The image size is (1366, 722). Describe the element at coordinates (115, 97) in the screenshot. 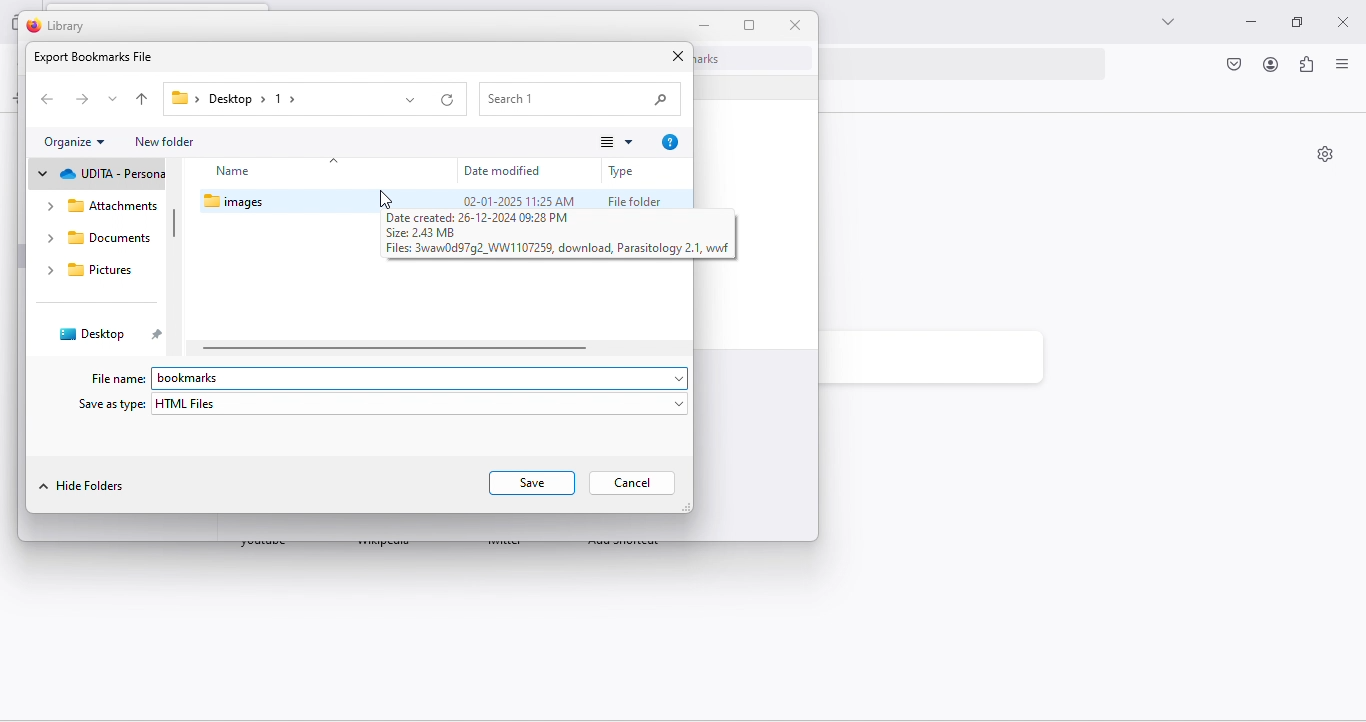

I see `dropdown` at that location.